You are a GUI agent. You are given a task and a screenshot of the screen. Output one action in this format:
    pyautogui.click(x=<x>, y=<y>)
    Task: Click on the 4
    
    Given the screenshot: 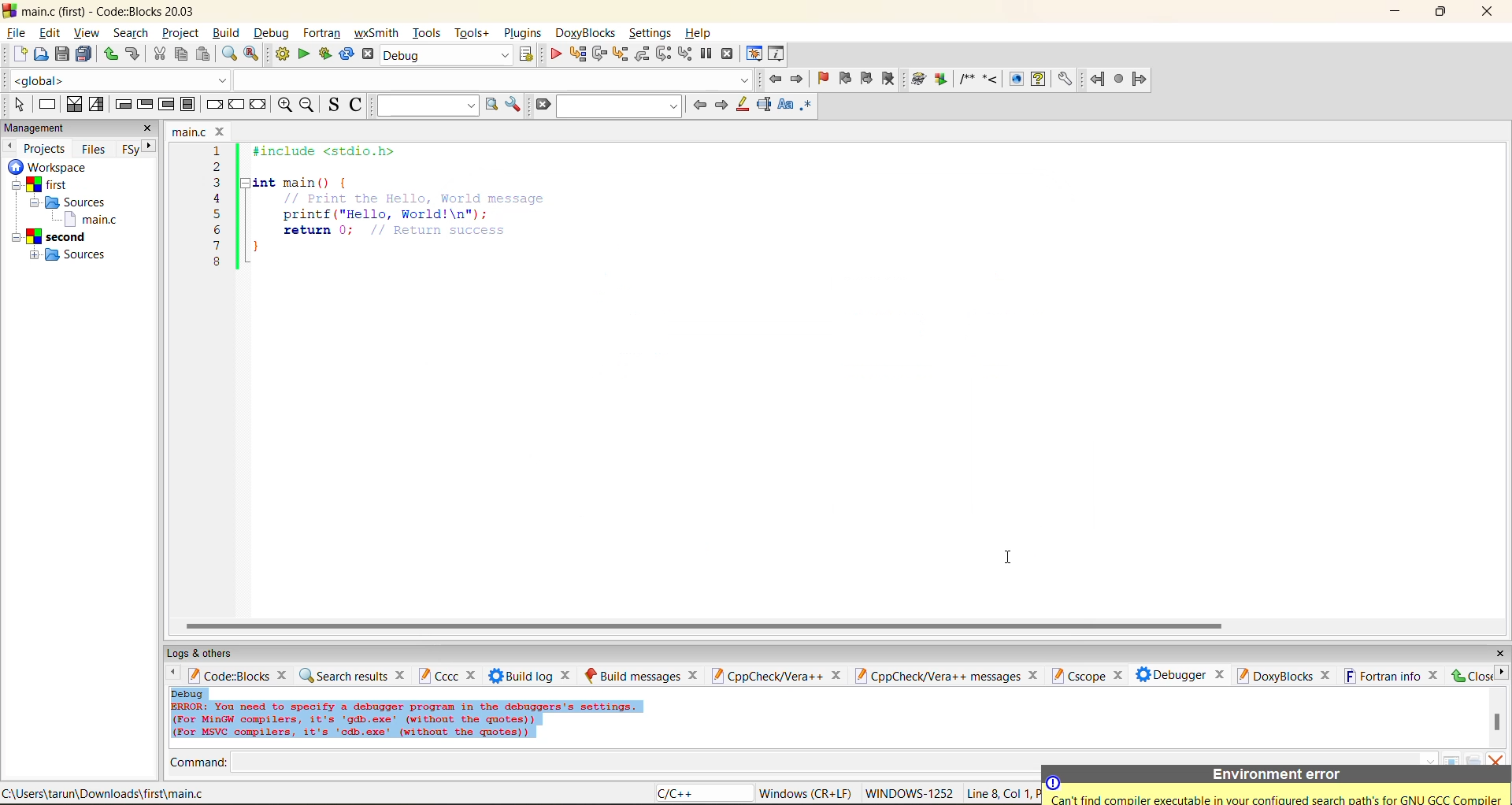 What is the action you would take?
    pyautogui.click(x=217, y=198)
    